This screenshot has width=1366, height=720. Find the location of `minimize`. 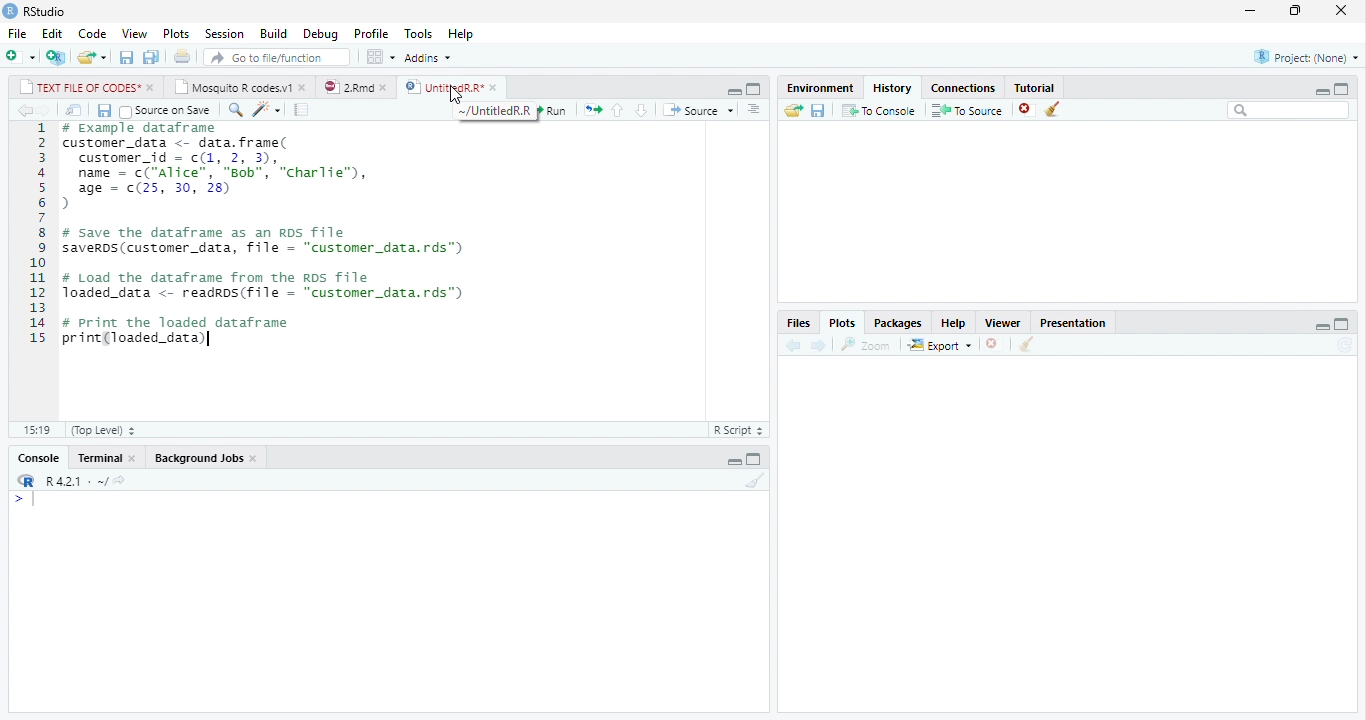

minimize is located at coordinates (734, 92).